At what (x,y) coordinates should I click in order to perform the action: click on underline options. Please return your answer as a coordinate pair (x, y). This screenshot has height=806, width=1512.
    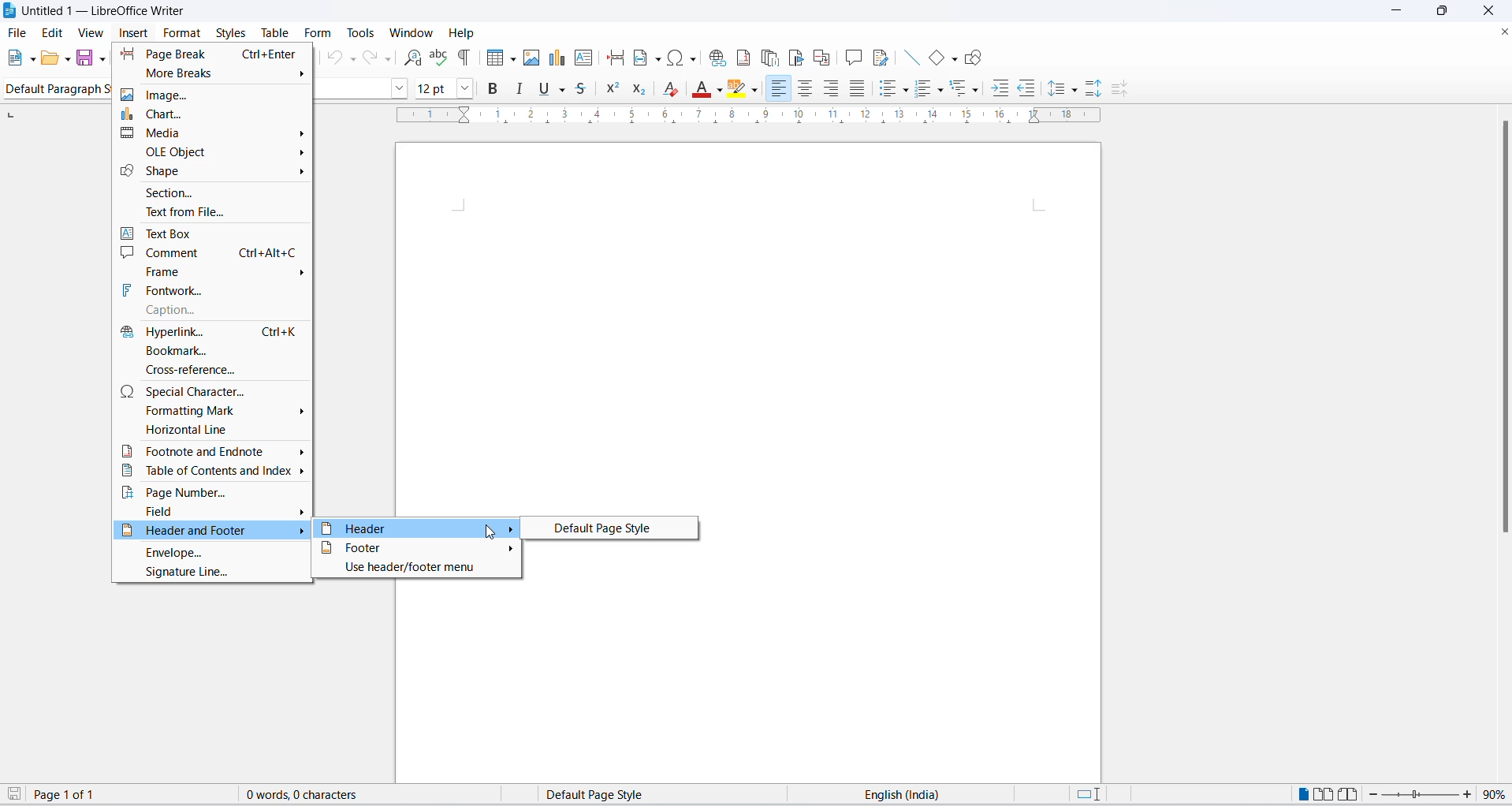
    Looking at the image, I should click on (566, 90).